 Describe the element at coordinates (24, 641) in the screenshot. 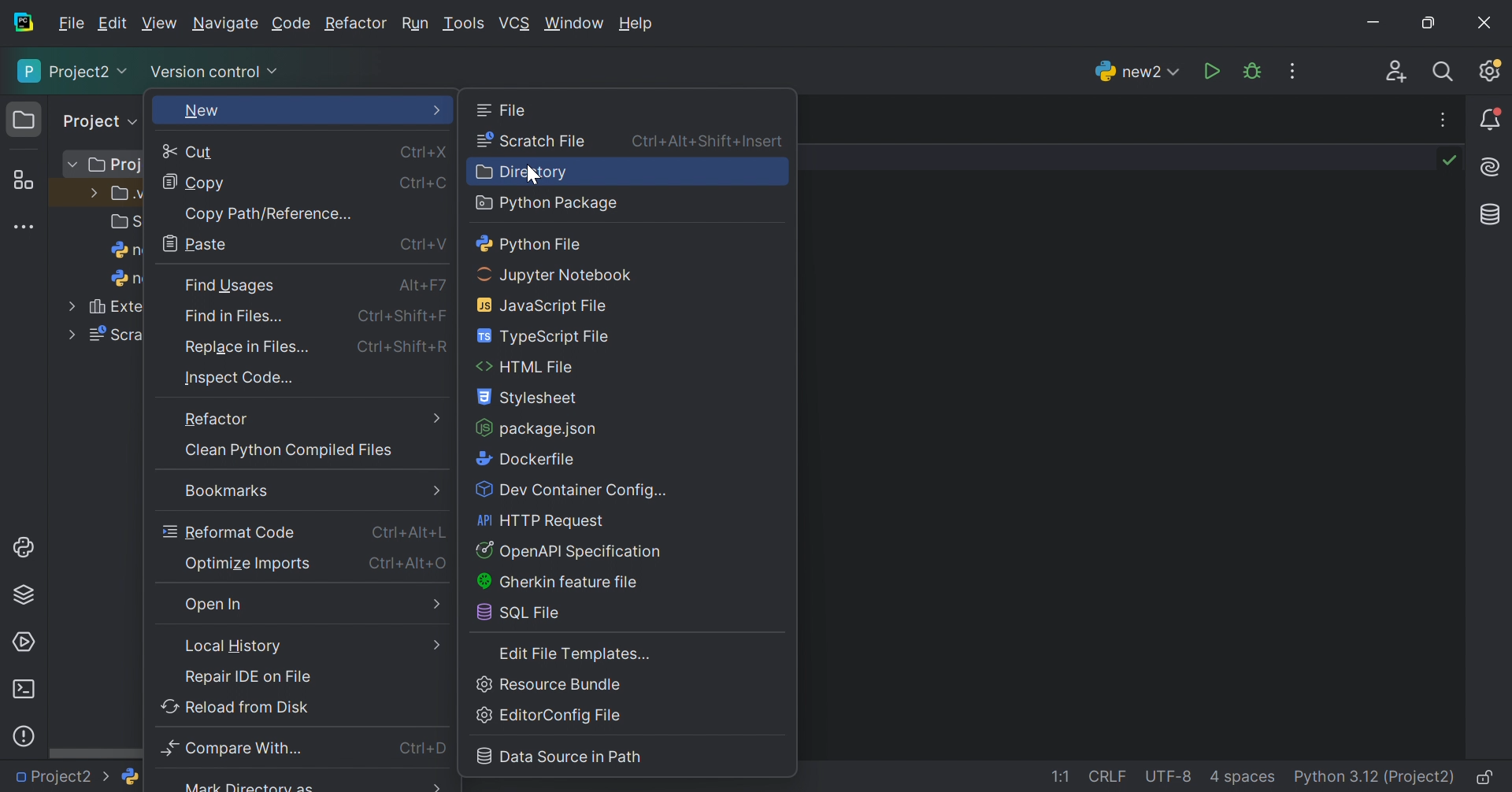

I see `Services` at that location.